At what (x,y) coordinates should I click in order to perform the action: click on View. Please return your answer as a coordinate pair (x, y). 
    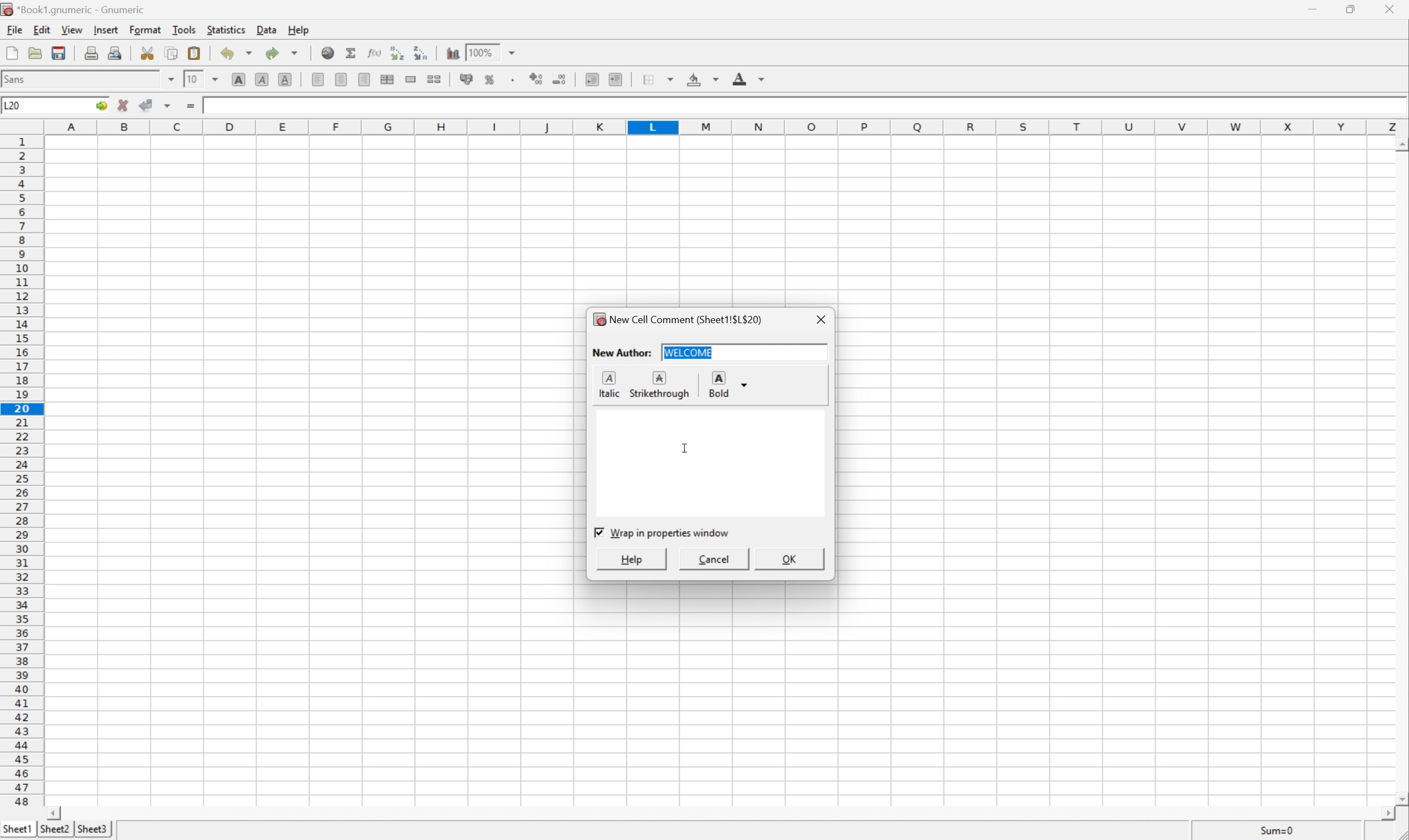
    Looking at the image, I should click on (73, 29).